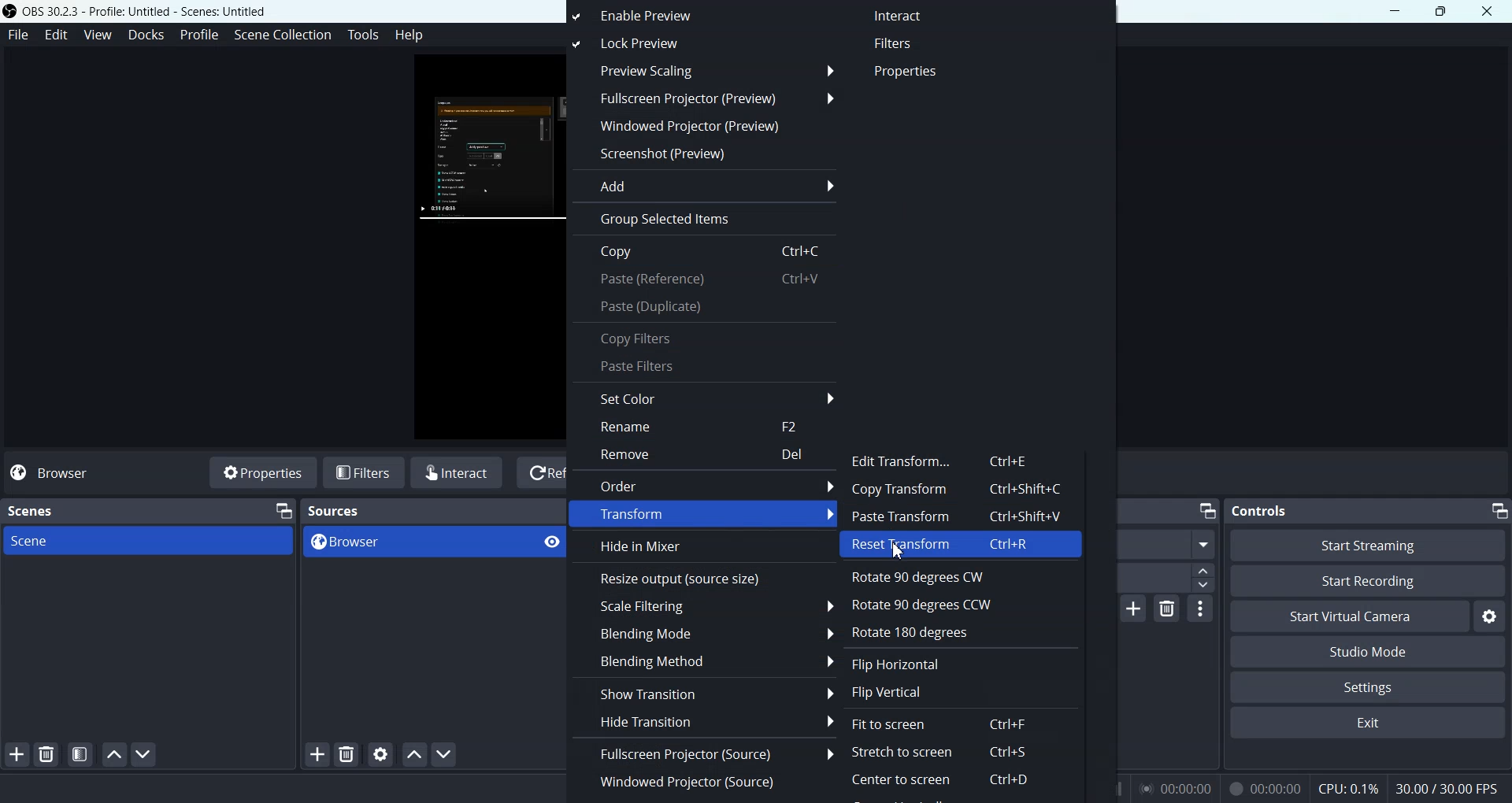 The height and width of the screenshot is (803, 1512). Describe the element at coordinates (33, 511) in the screenshot. I see `Scenes` at that location.